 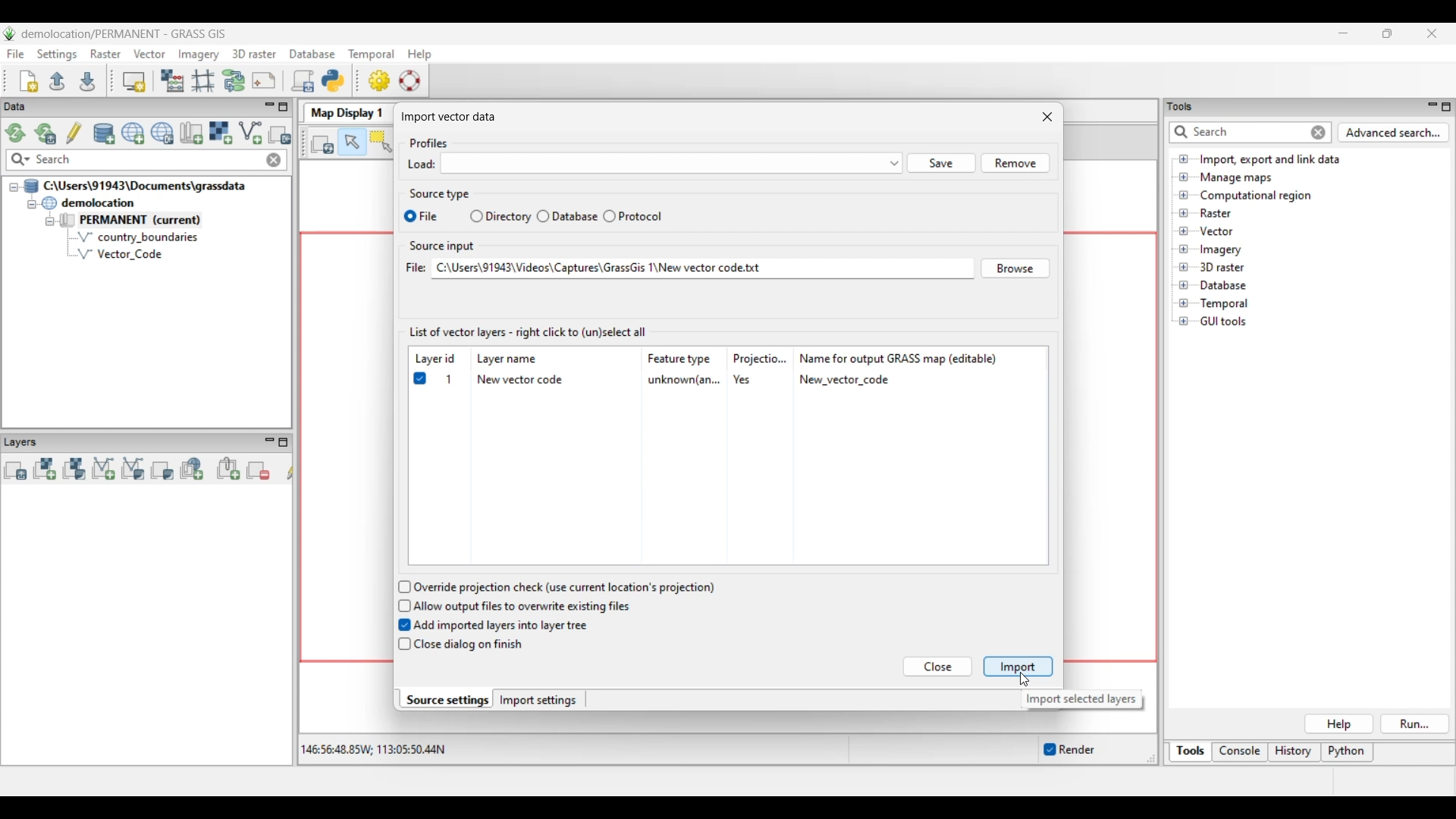 What do you see at coordinates (1237, 132) in the screenshot?
I see `Type in or enter details for quick search` at bounding box center [1237, 132].